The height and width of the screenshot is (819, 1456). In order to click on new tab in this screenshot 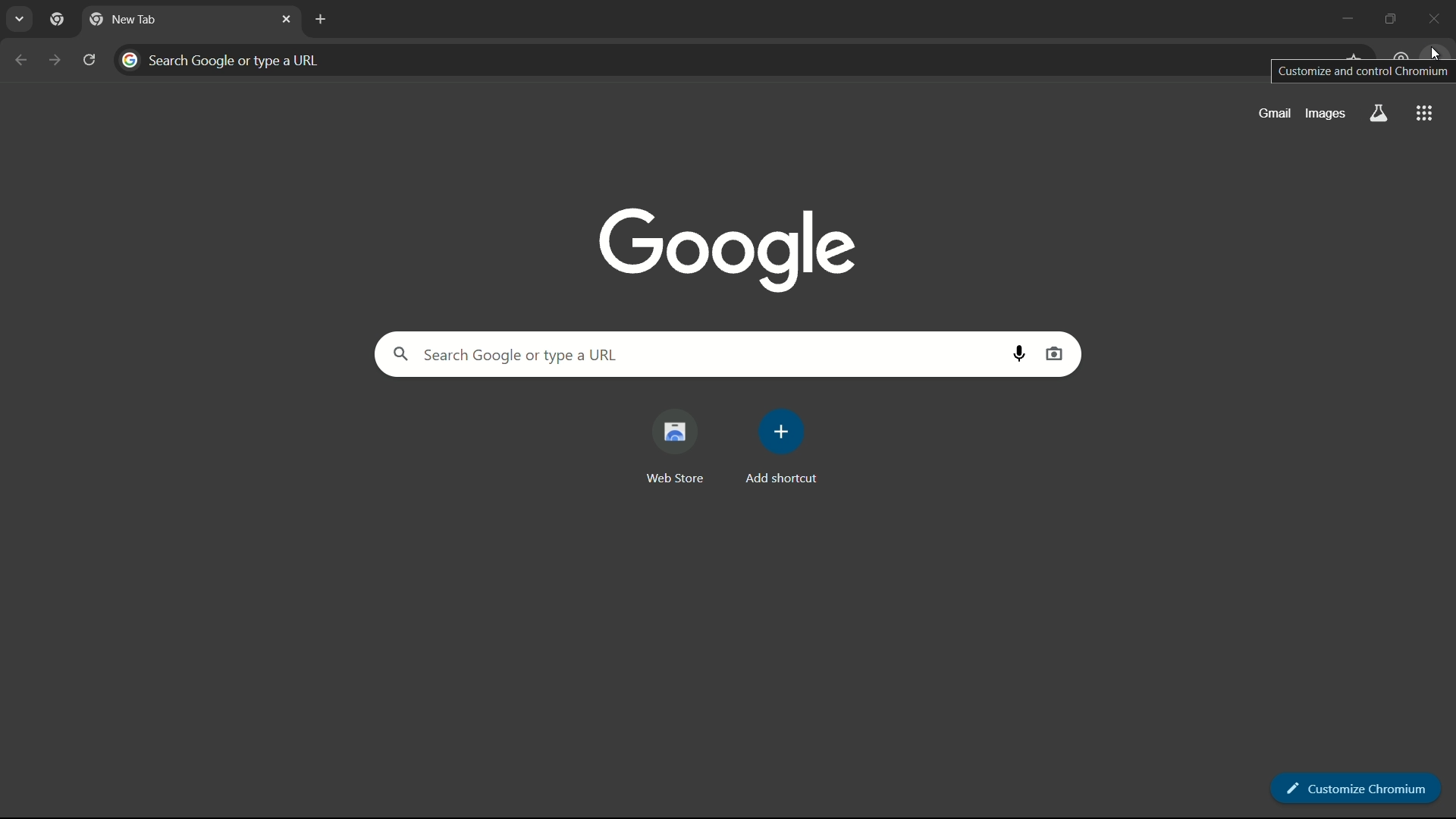, I will do `click(123, 20)`.